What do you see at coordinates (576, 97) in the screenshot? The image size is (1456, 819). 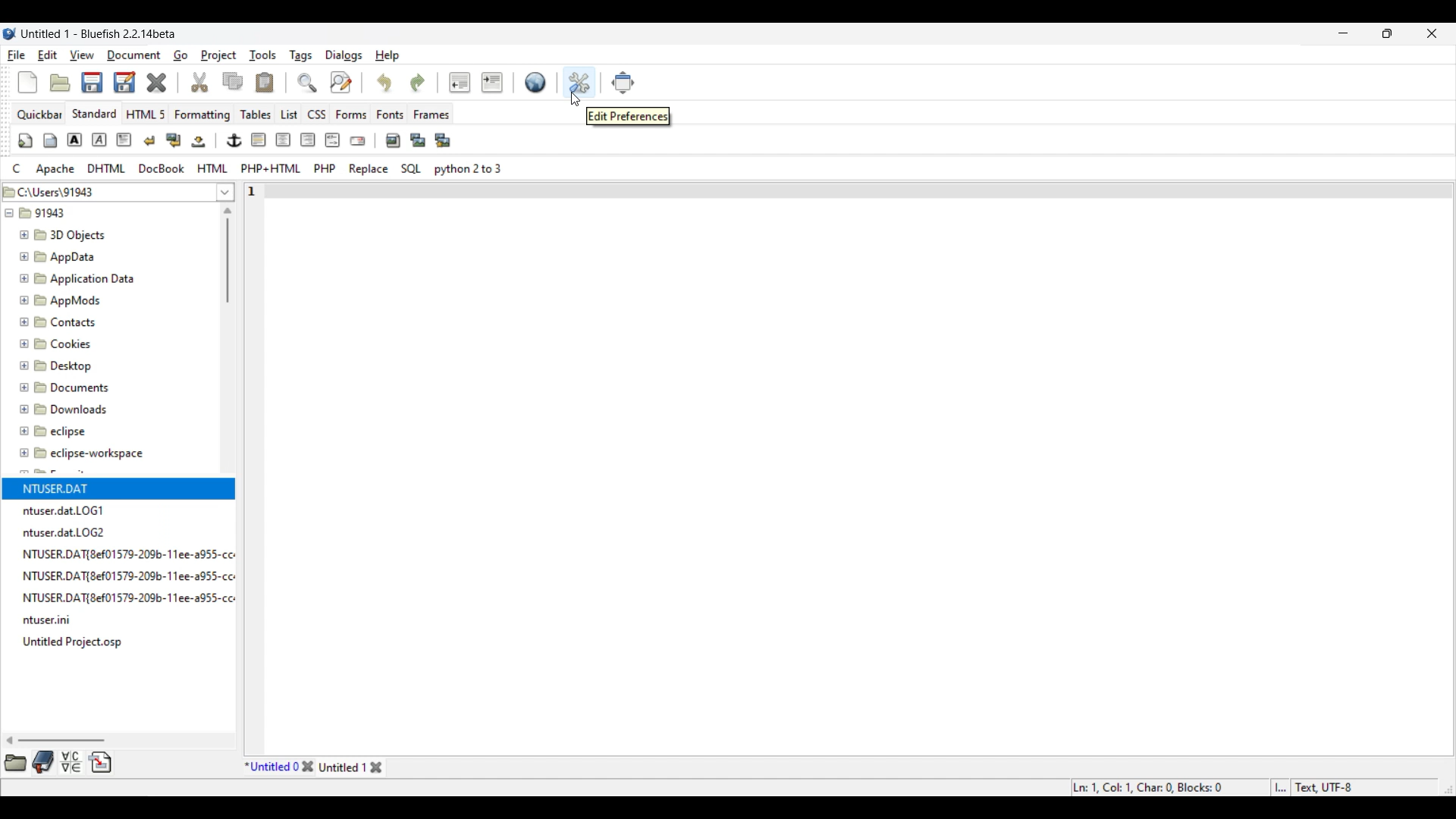 I see `cursor` at bounding box center [576, 97].